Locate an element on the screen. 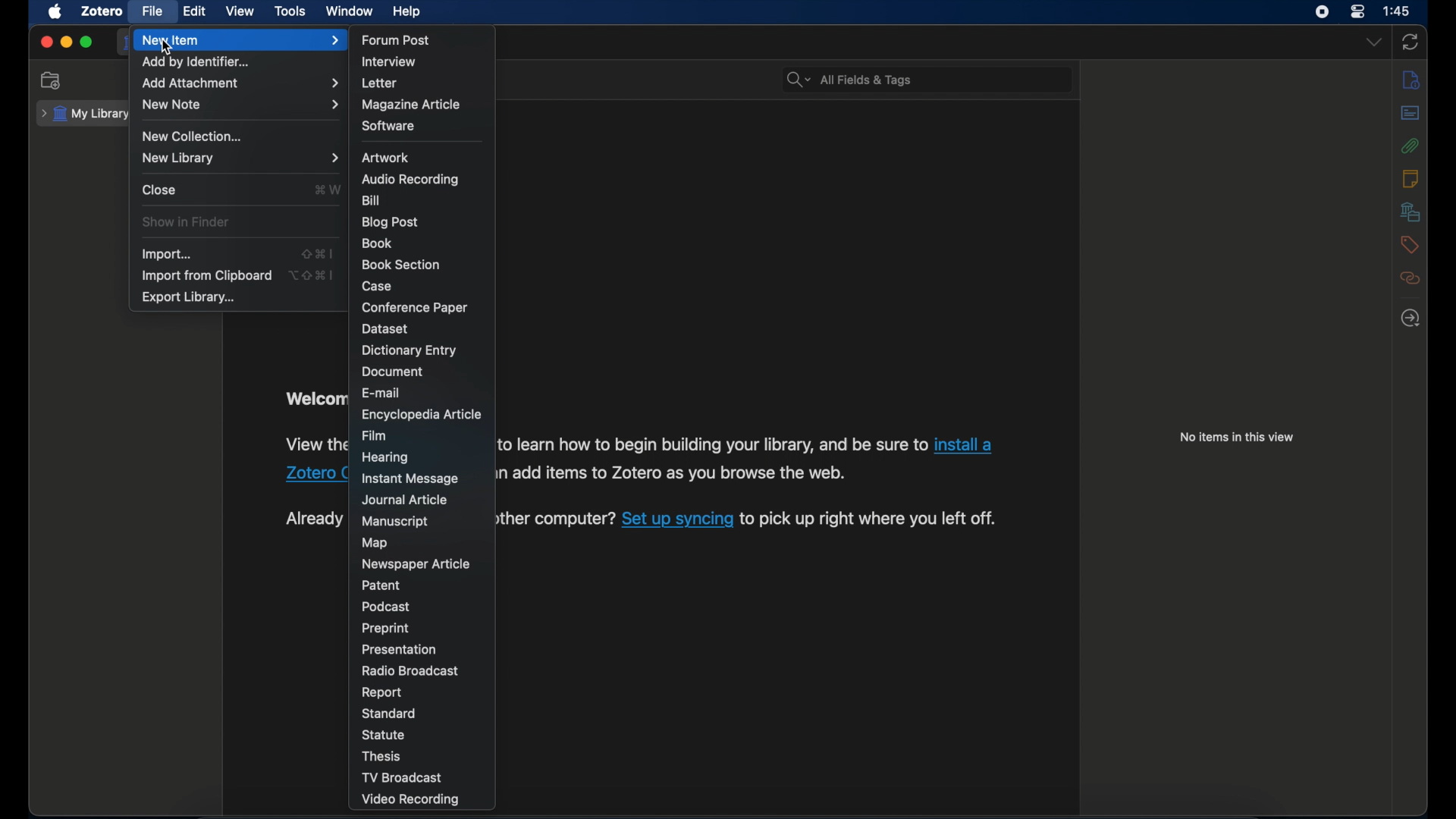 Image resolution: width=1456 pixels, height=819 pixels. tv broadcast is located at coordinates (401, 777).